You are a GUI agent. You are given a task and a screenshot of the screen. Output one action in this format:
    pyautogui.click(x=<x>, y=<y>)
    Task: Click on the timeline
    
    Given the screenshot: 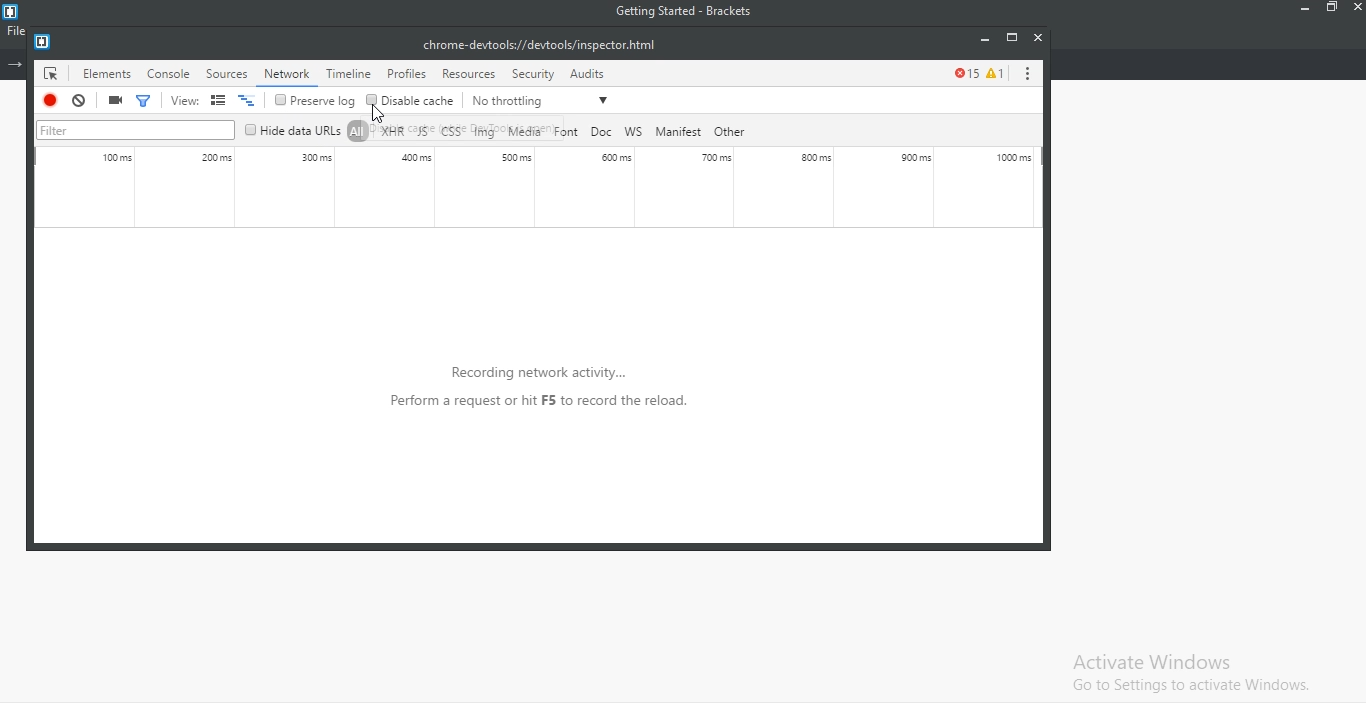 What is the action you would take?
    pyautogui.click(x=348, y=71)
    